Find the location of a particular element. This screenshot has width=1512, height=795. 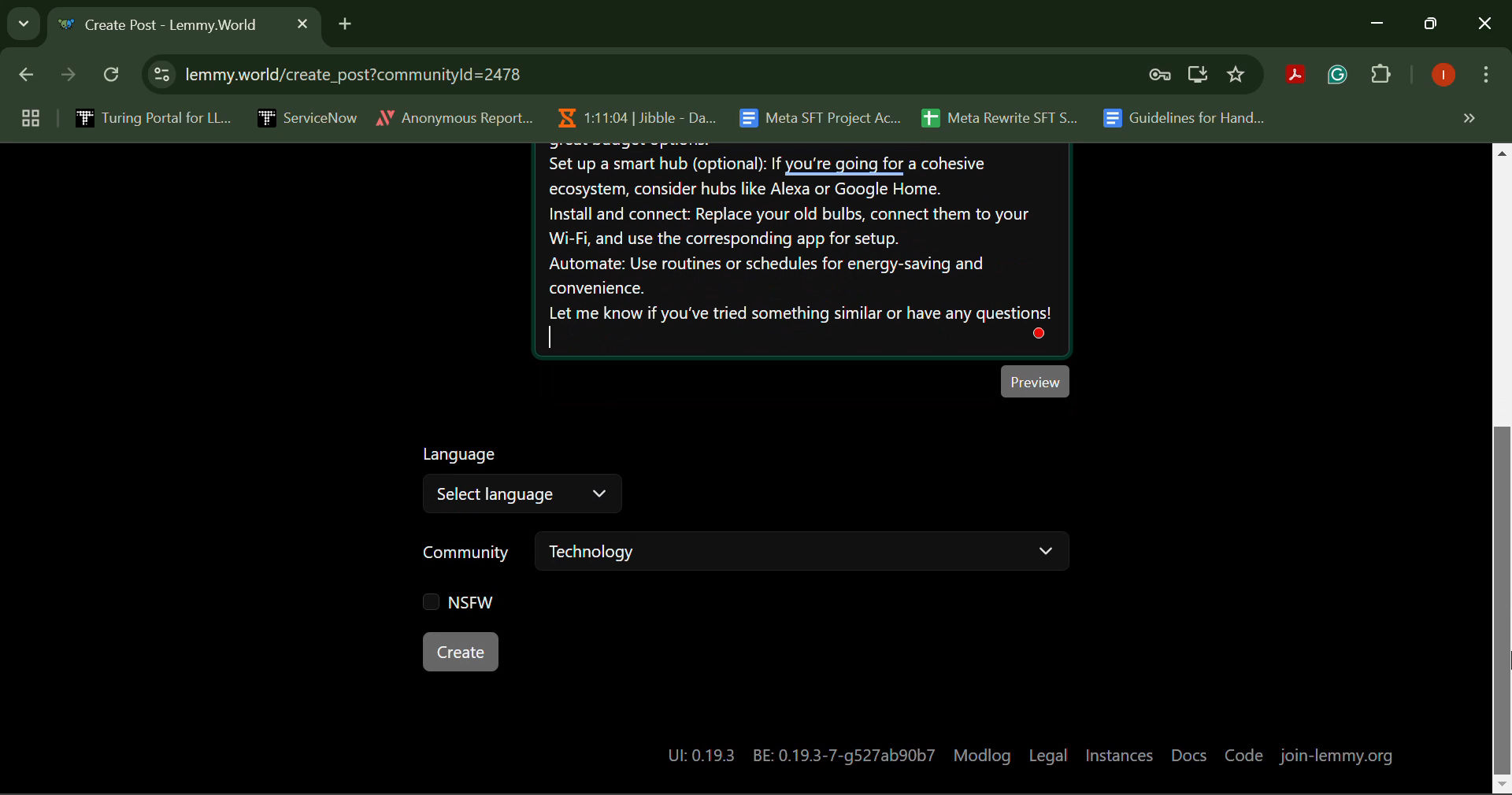

Guidelines for Handling is located at coordinates (1186, 118).